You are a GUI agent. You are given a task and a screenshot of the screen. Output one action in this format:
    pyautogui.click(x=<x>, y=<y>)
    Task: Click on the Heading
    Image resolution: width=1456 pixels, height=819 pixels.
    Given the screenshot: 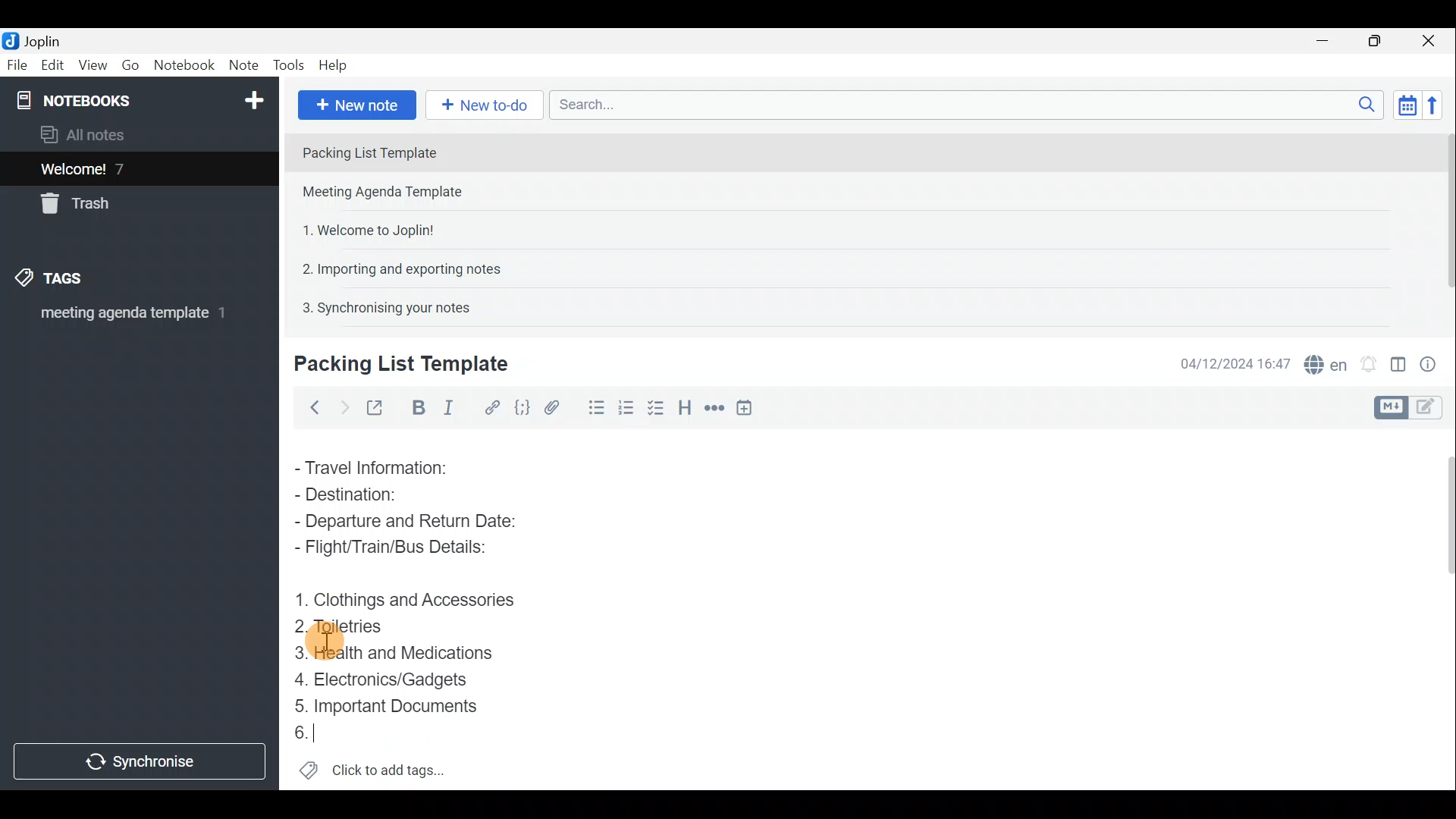 What is the action you would take?
    pyautogui.click(x=686, y=406)
    